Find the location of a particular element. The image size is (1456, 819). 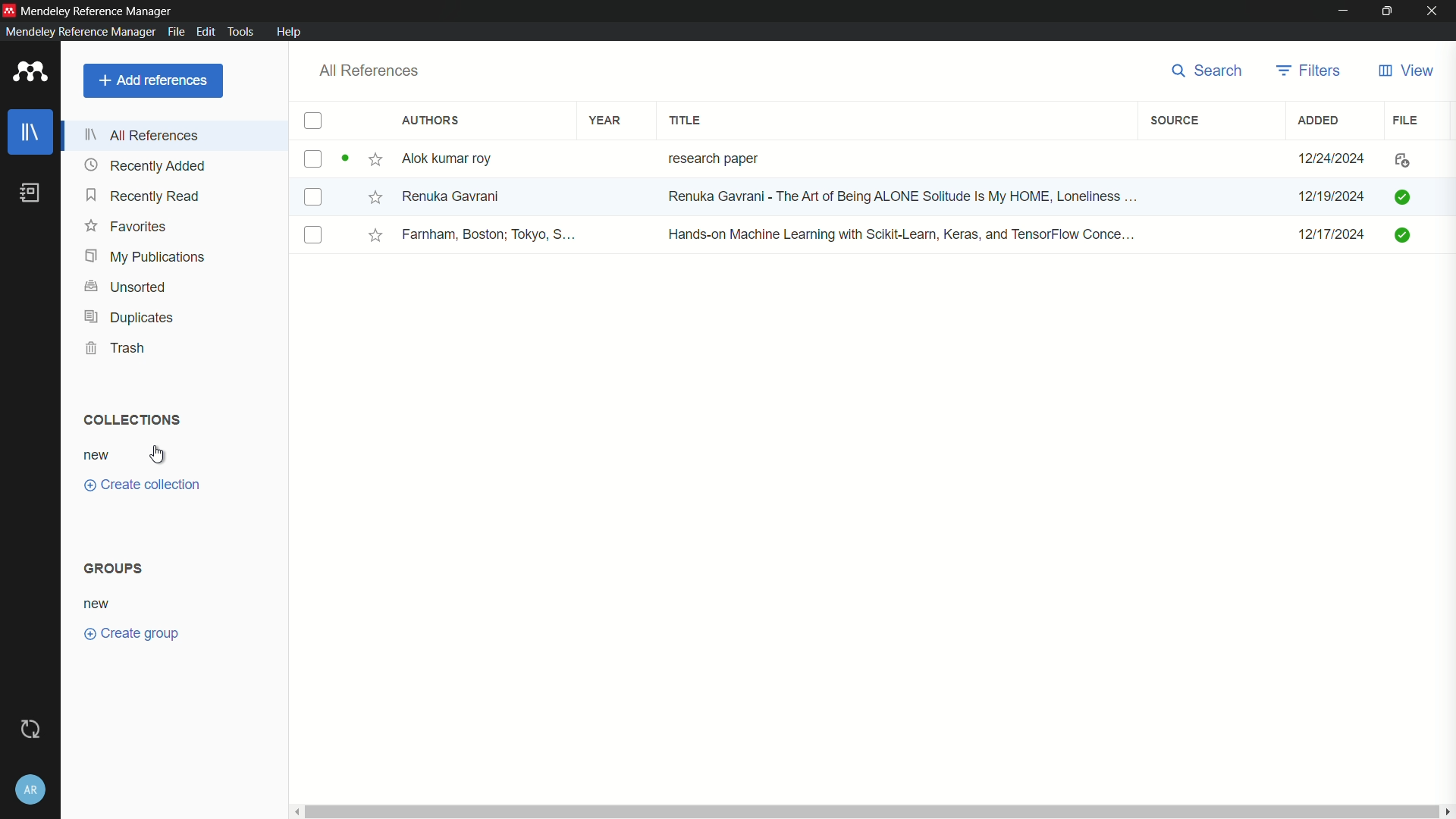

create group is located at coordinates (133, 634).